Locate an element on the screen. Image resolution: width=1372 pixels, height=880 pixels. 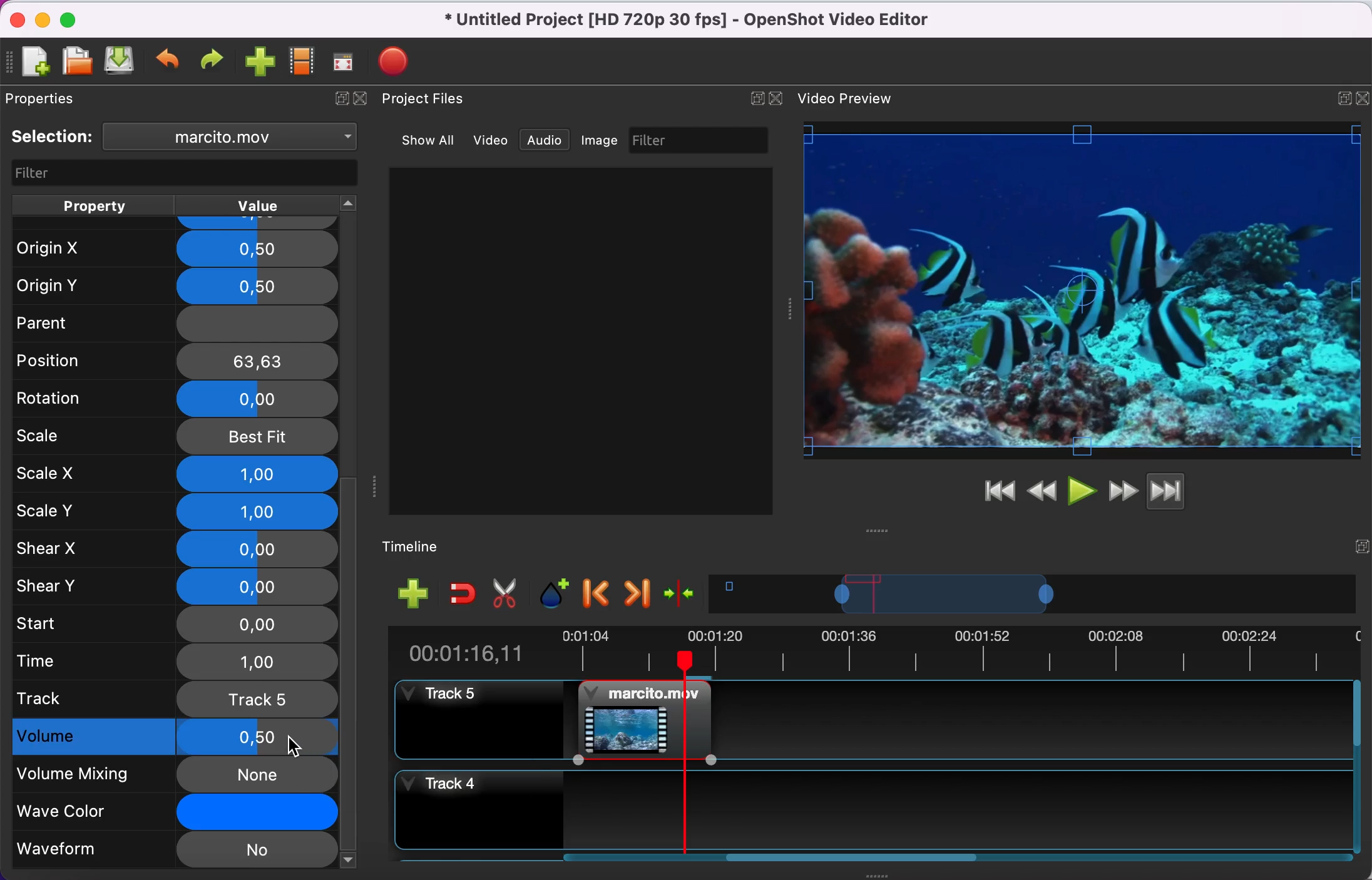
track 4 is located at coordinates (874, 806).